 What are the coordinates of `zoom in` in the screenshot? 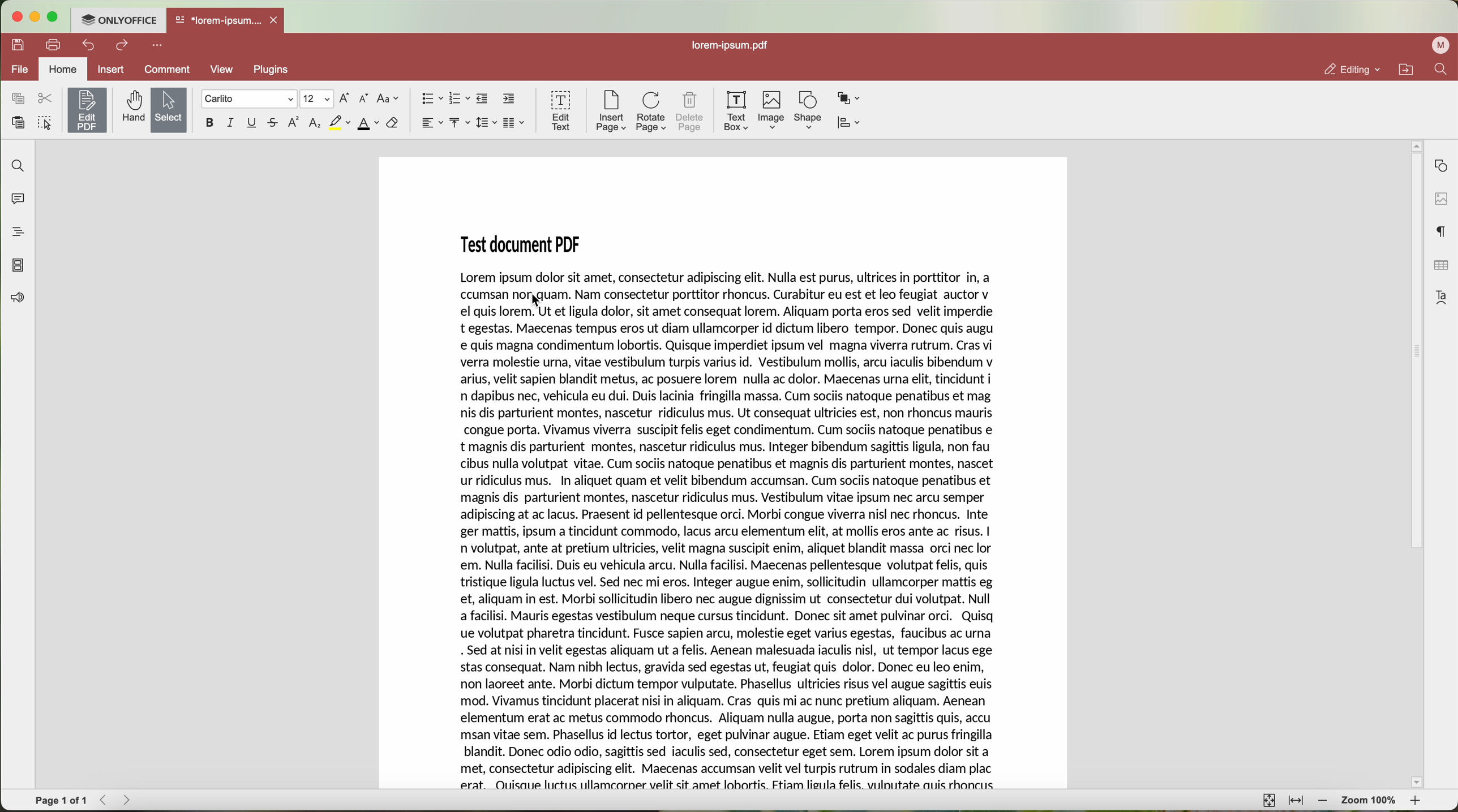 It's located at (1418, 802).